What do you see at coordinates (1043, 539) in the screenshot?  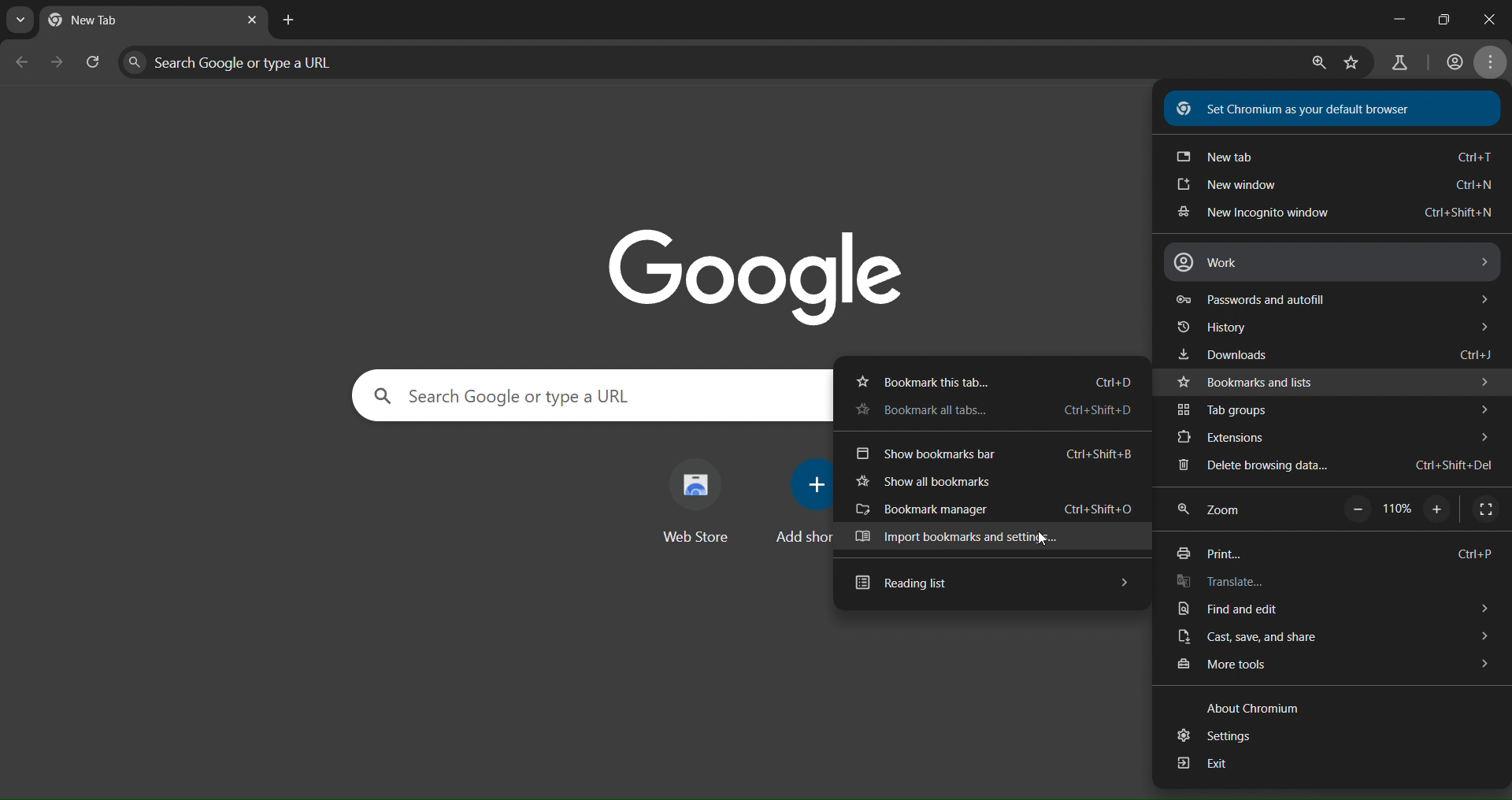 I see `Cursor` at bounding box center [1043, 539].